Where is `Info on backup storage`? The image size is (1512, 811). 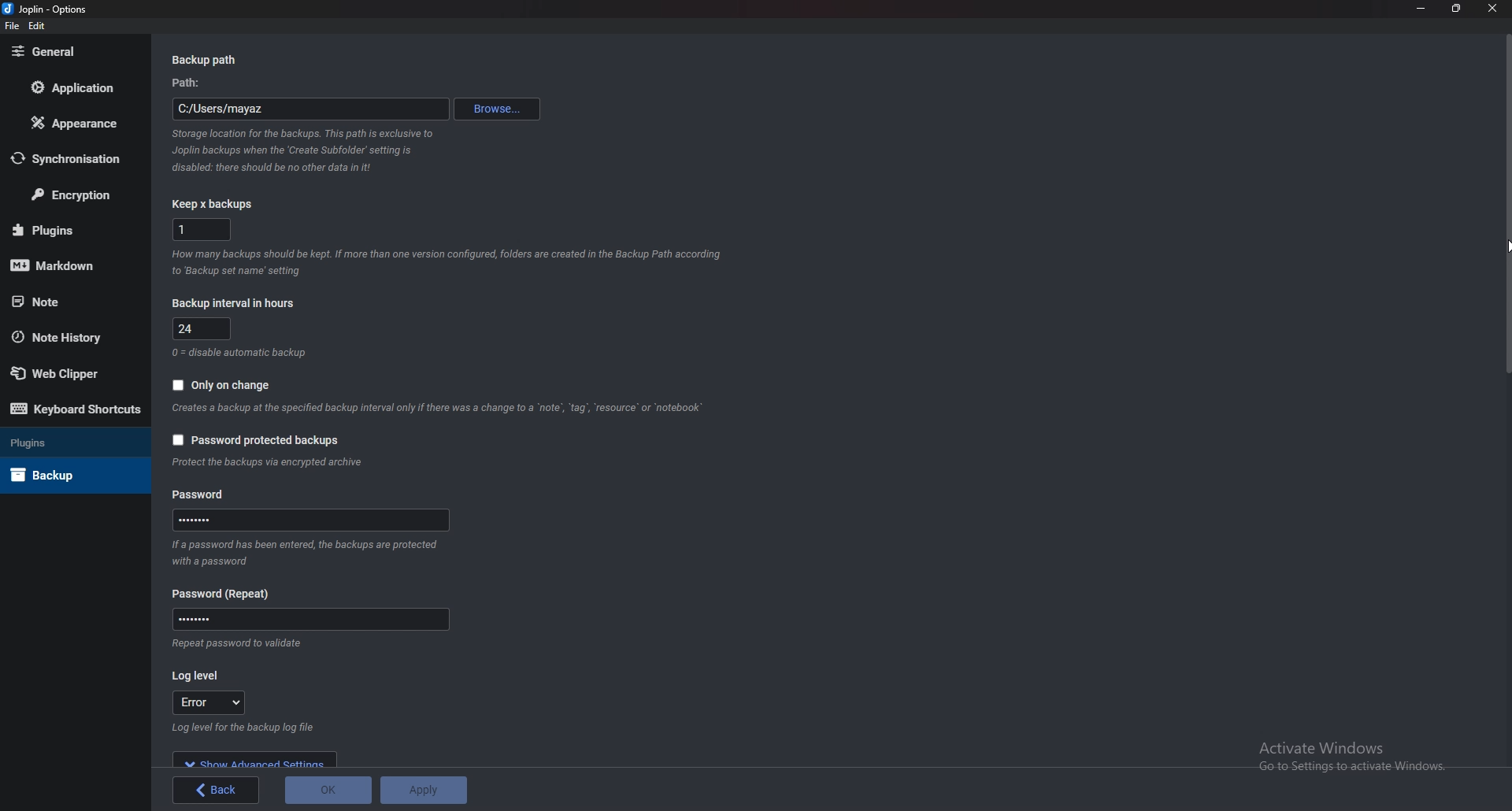
Info on backup storage is located at coordinates (302, 152).